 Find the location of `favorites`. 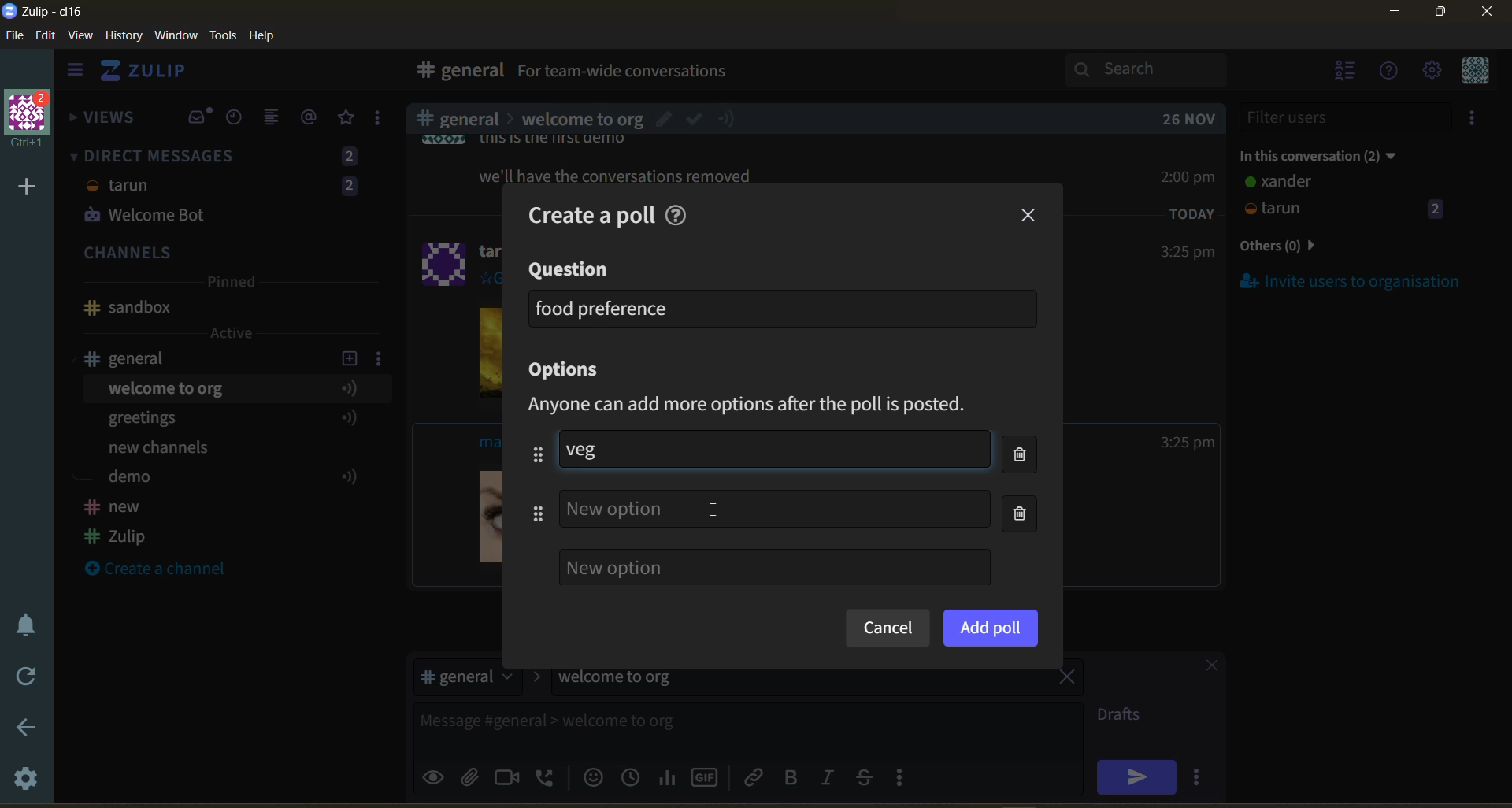

favorites is located at coordinates (347, 118).